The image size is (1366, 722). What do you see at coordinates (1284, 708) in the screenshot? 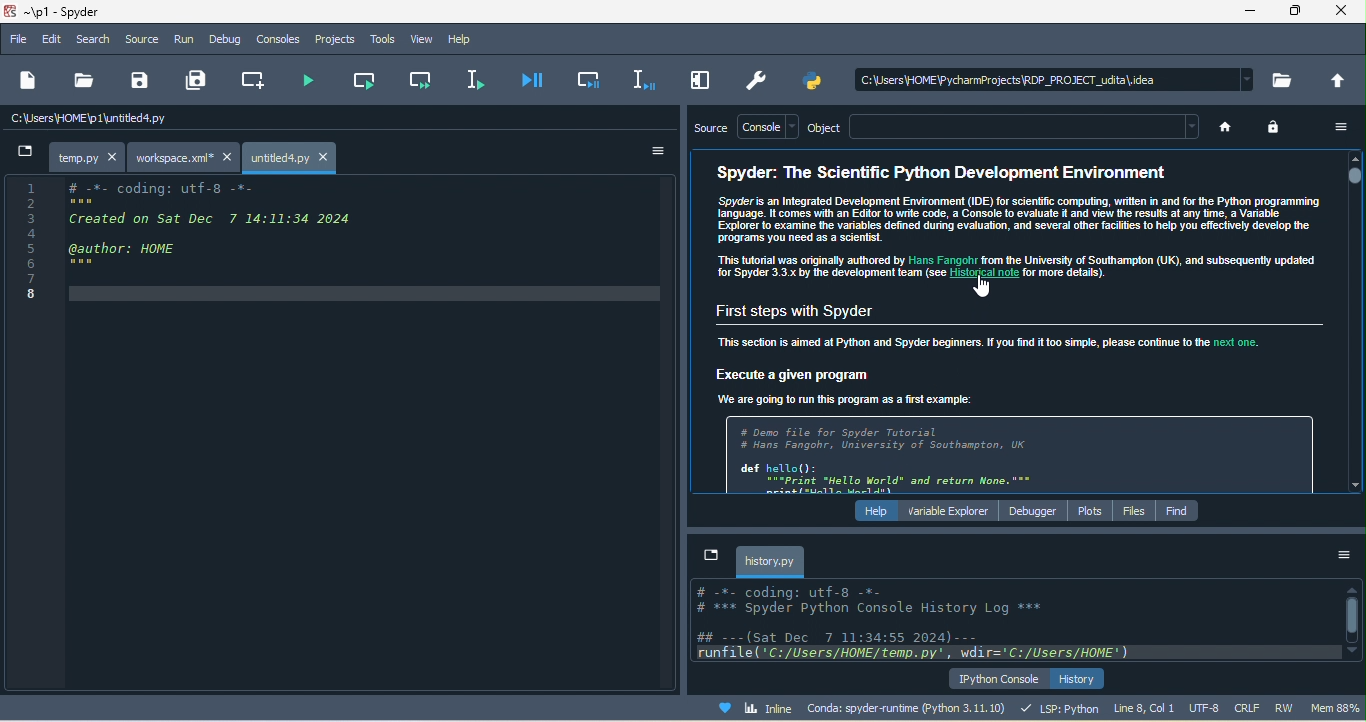
I see `rw` at bounding box center [1284, 708].